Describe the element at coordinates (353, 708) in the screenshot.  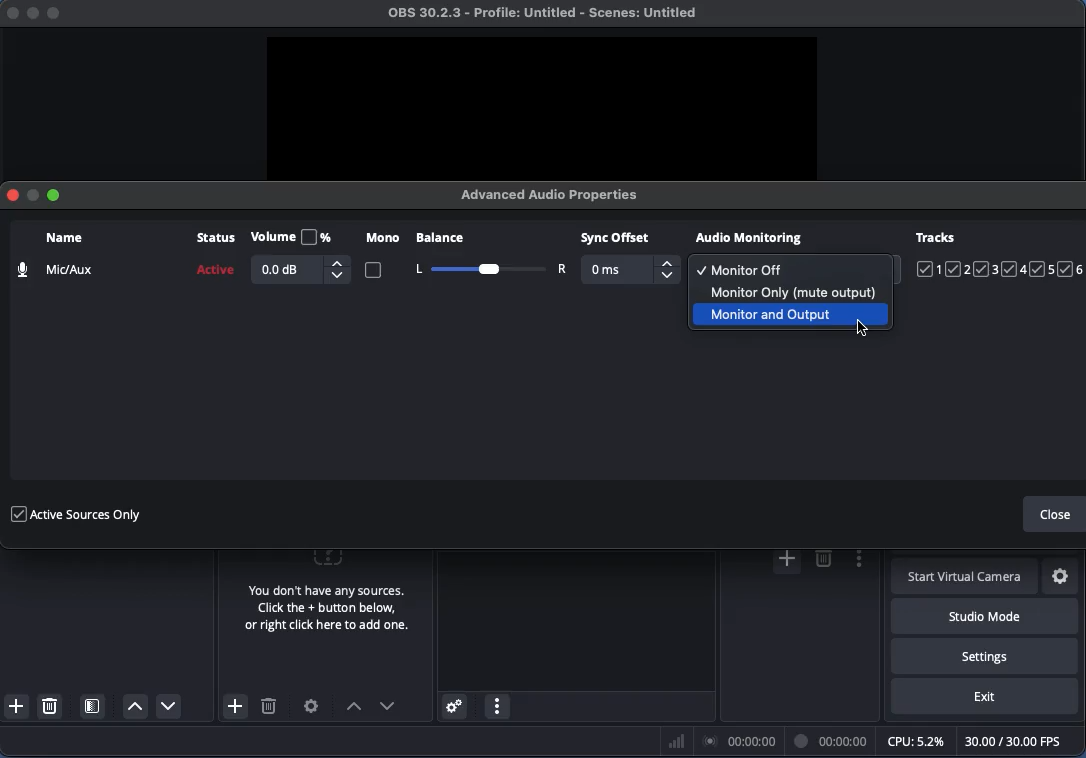
I see `Move up` at that location.